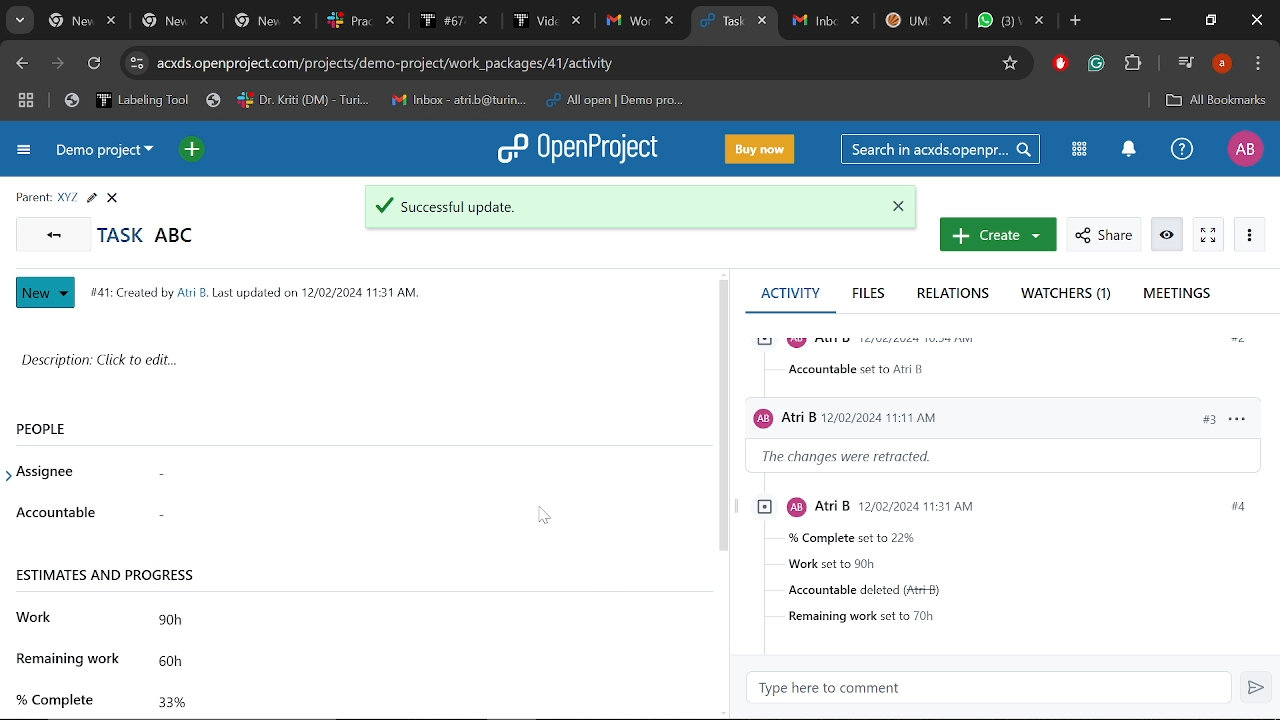 The image size is (1280, 720). What do you see at coordinates (407, 519) in the screenshot?
I see `Accountable` at bounding box center [407, 519].